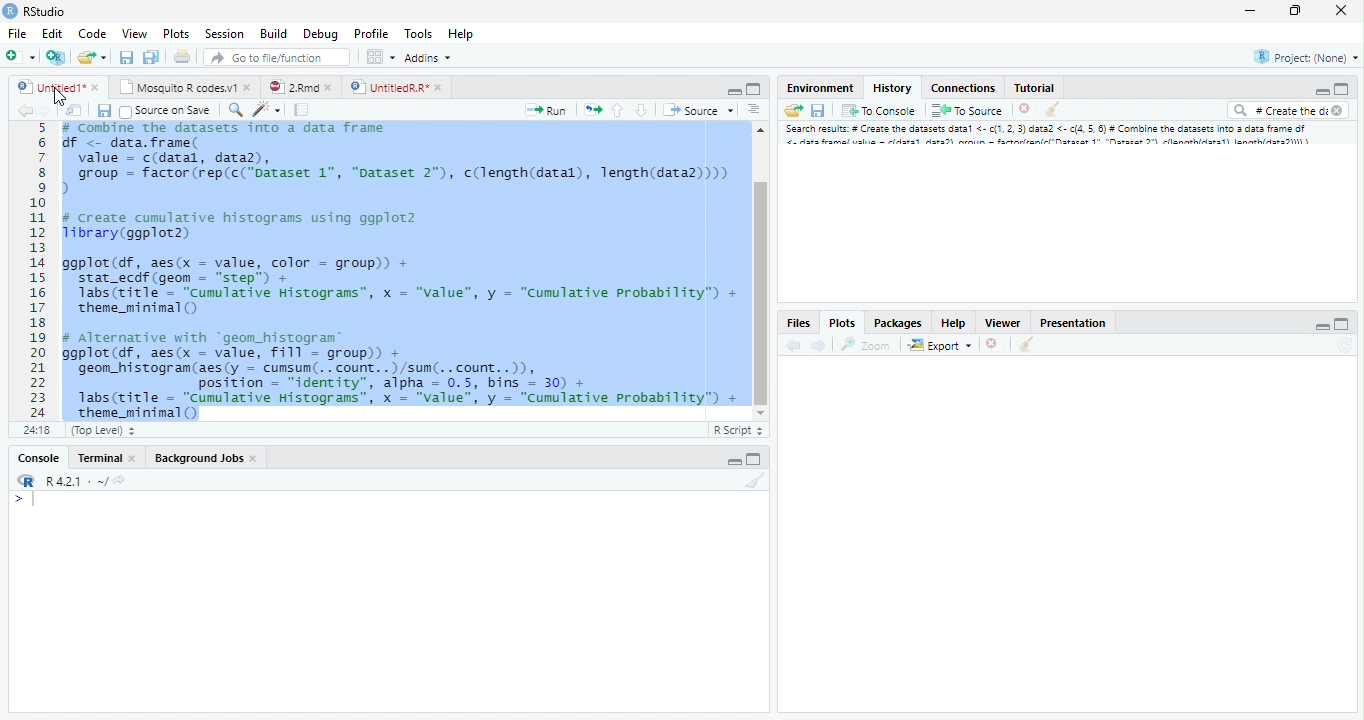 The height and width of the screenshot is (720, 1364). I want to click on Workspace pane, so click(381, 58).